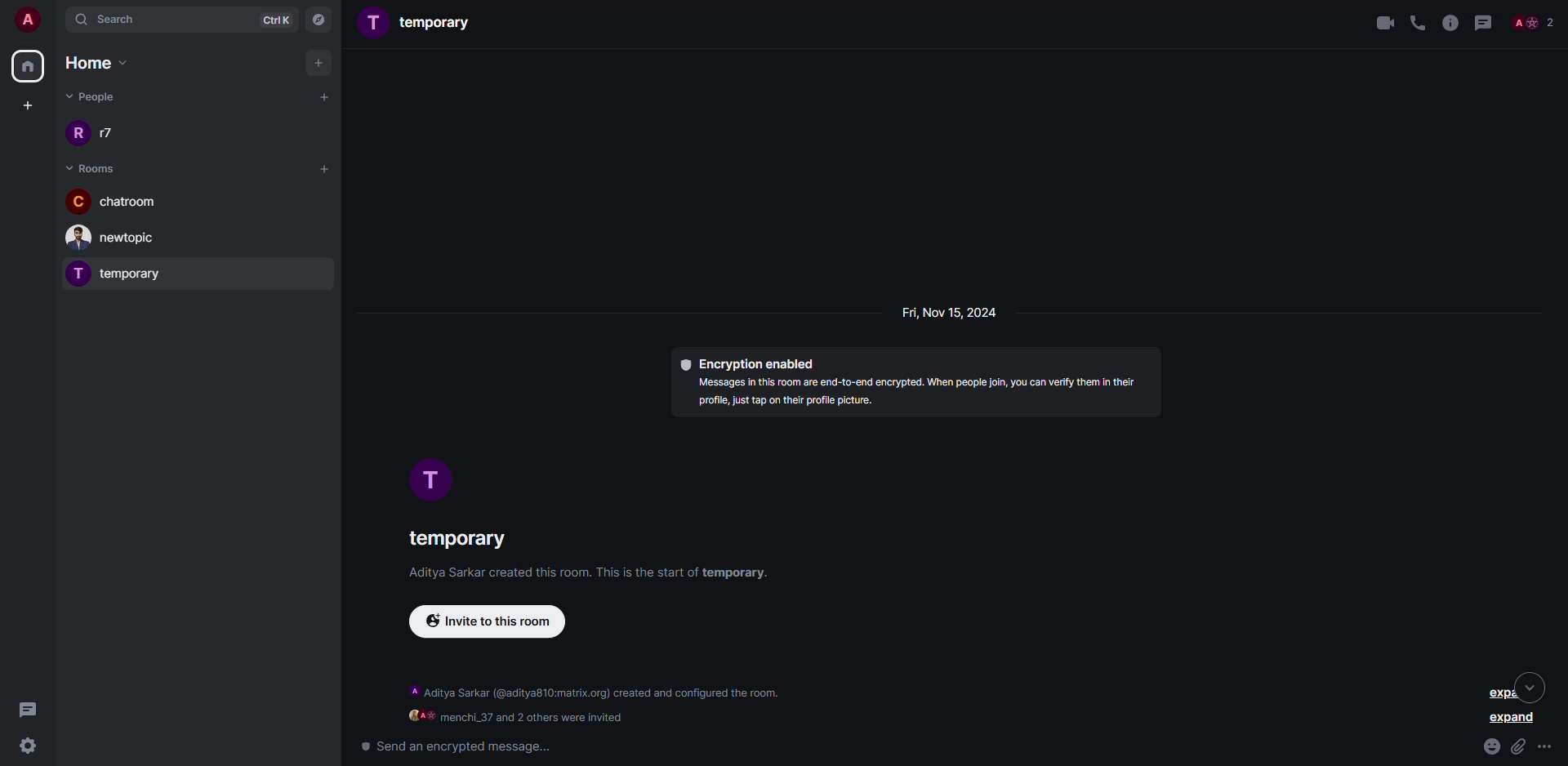 Image resolution: width=1568 pixels, height=766 pixels. What do you see at coordinates (121, 273) in the screenshot?
I see `temporary` at bounding box center [121, 273].